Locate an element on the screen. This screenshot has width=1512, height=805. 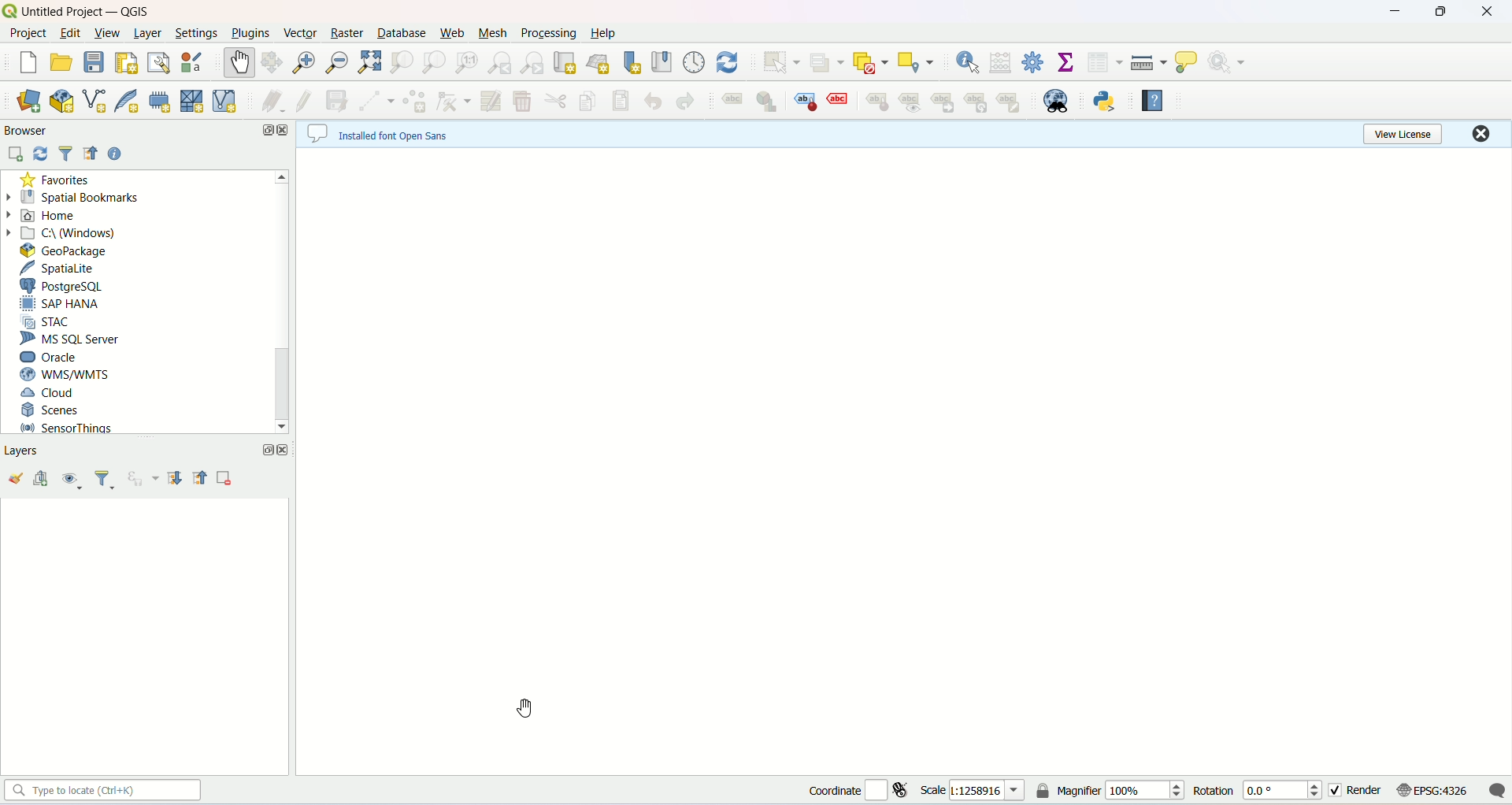
undo is located at coordinates (650, 98).